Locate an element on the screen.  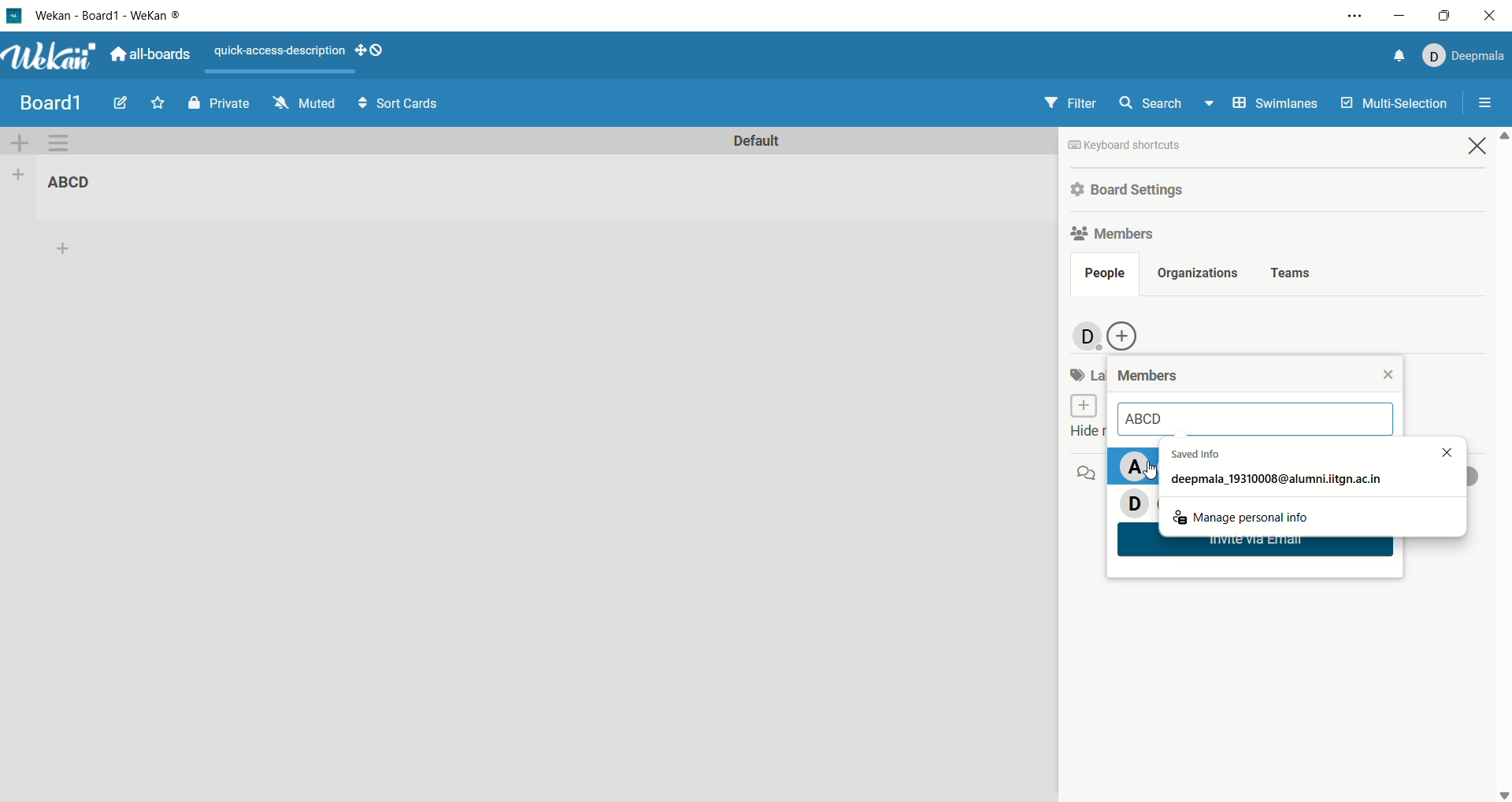
sort cards is located at coordinates (399, 102).